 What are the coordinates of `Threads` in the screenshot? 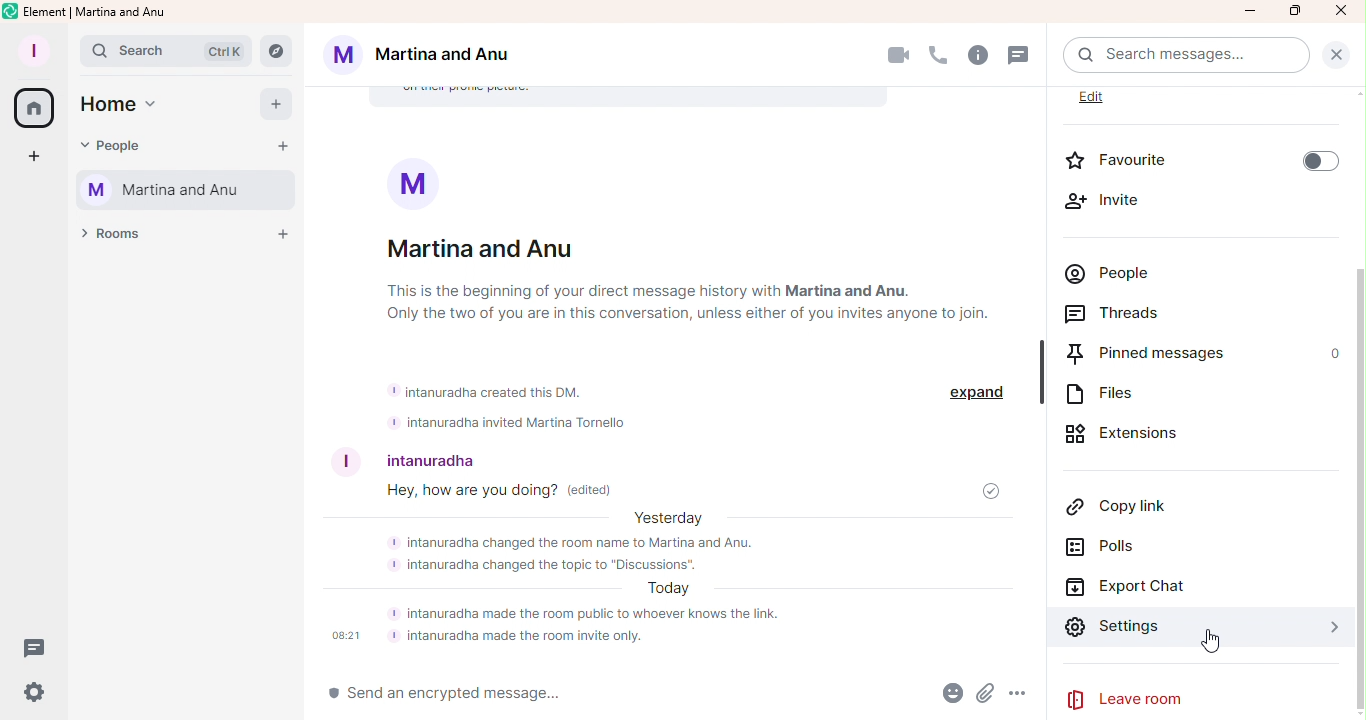 It's located at (1024, 58).